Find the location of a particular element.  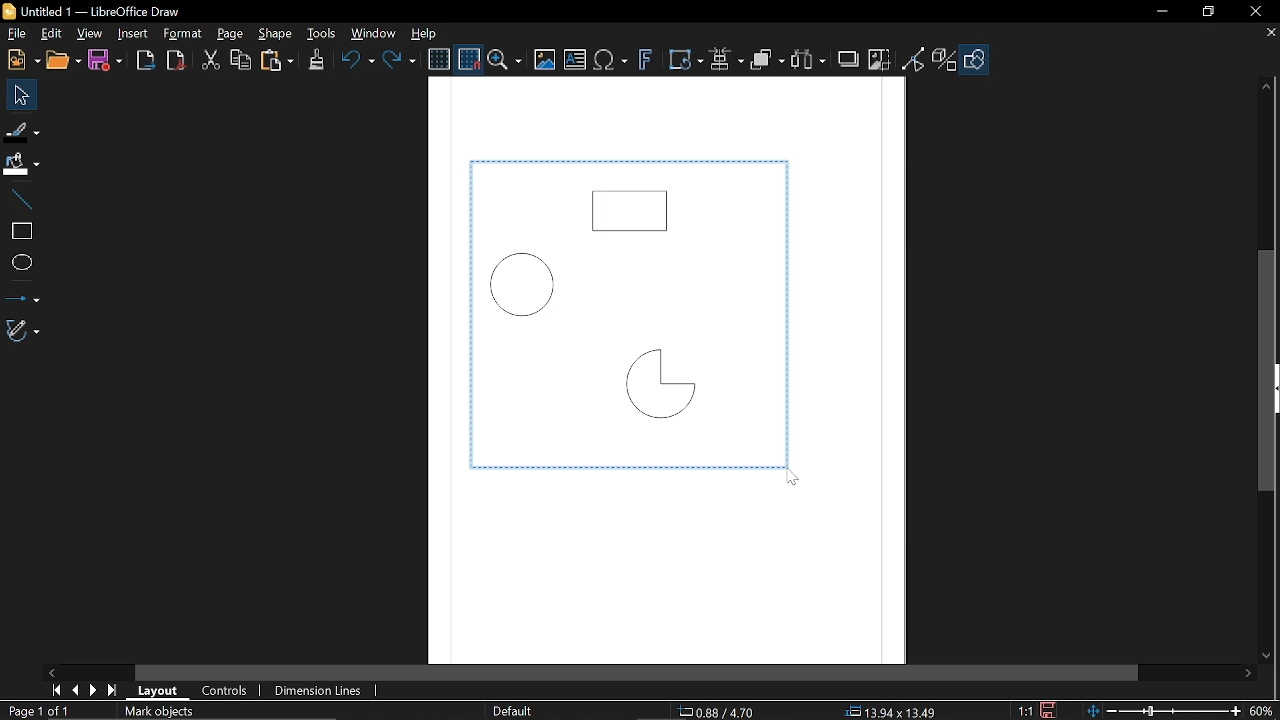

Lines and arrows is located at coordinates (22, 297).